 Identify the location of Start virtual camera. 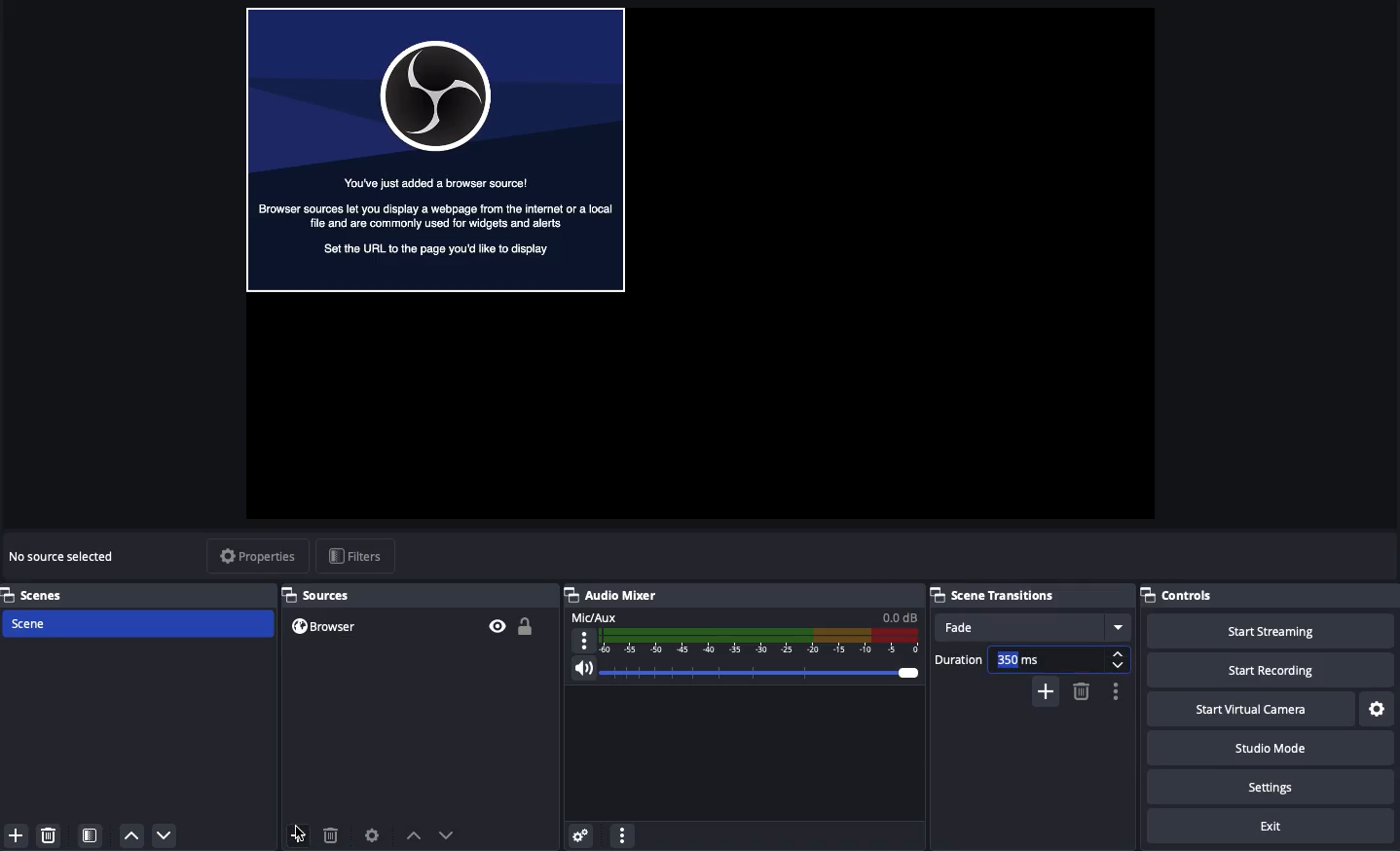
(1246, 710).